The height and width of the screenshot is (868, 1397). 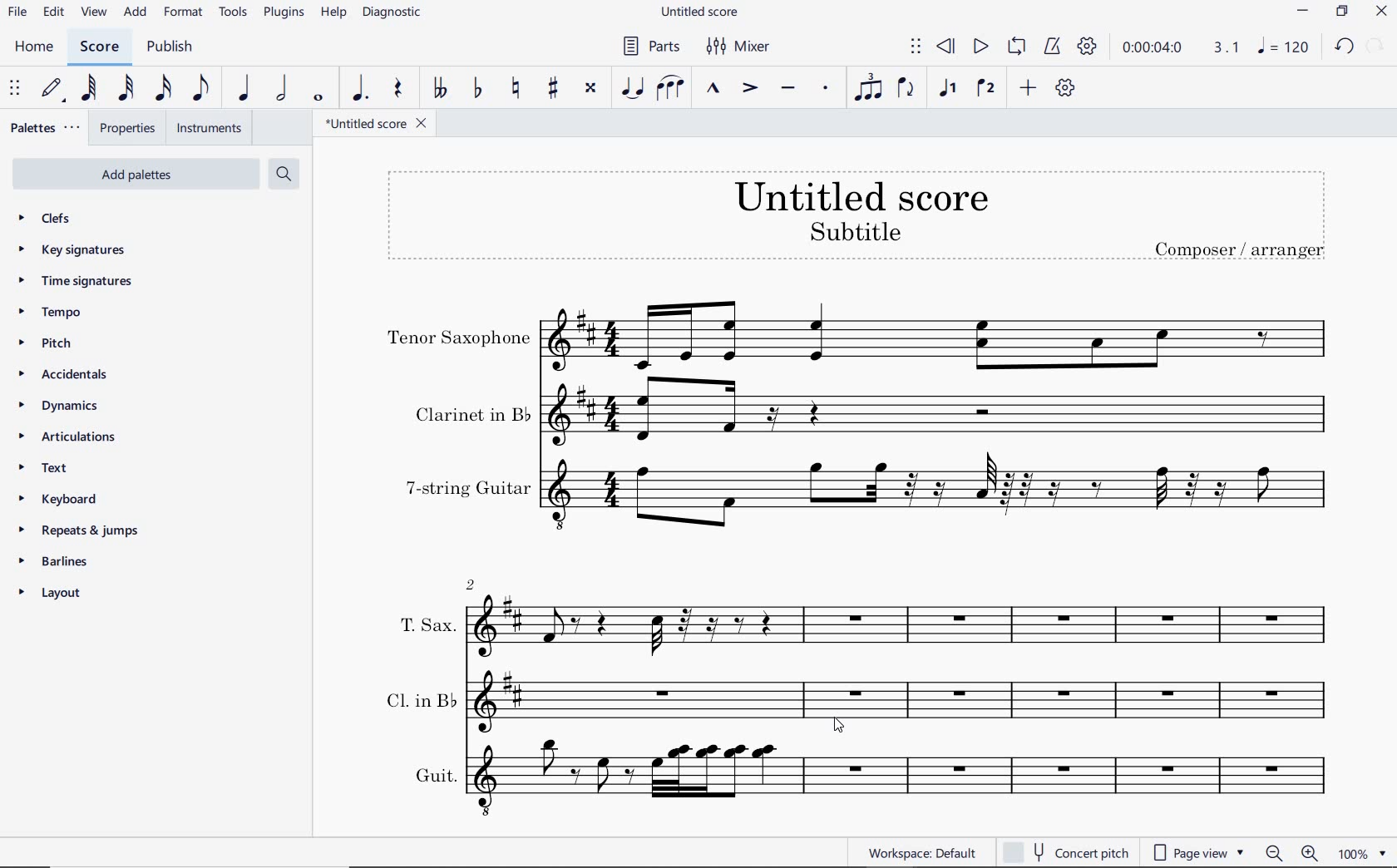 I want to click on TEXT, so click(x=53, y=470).